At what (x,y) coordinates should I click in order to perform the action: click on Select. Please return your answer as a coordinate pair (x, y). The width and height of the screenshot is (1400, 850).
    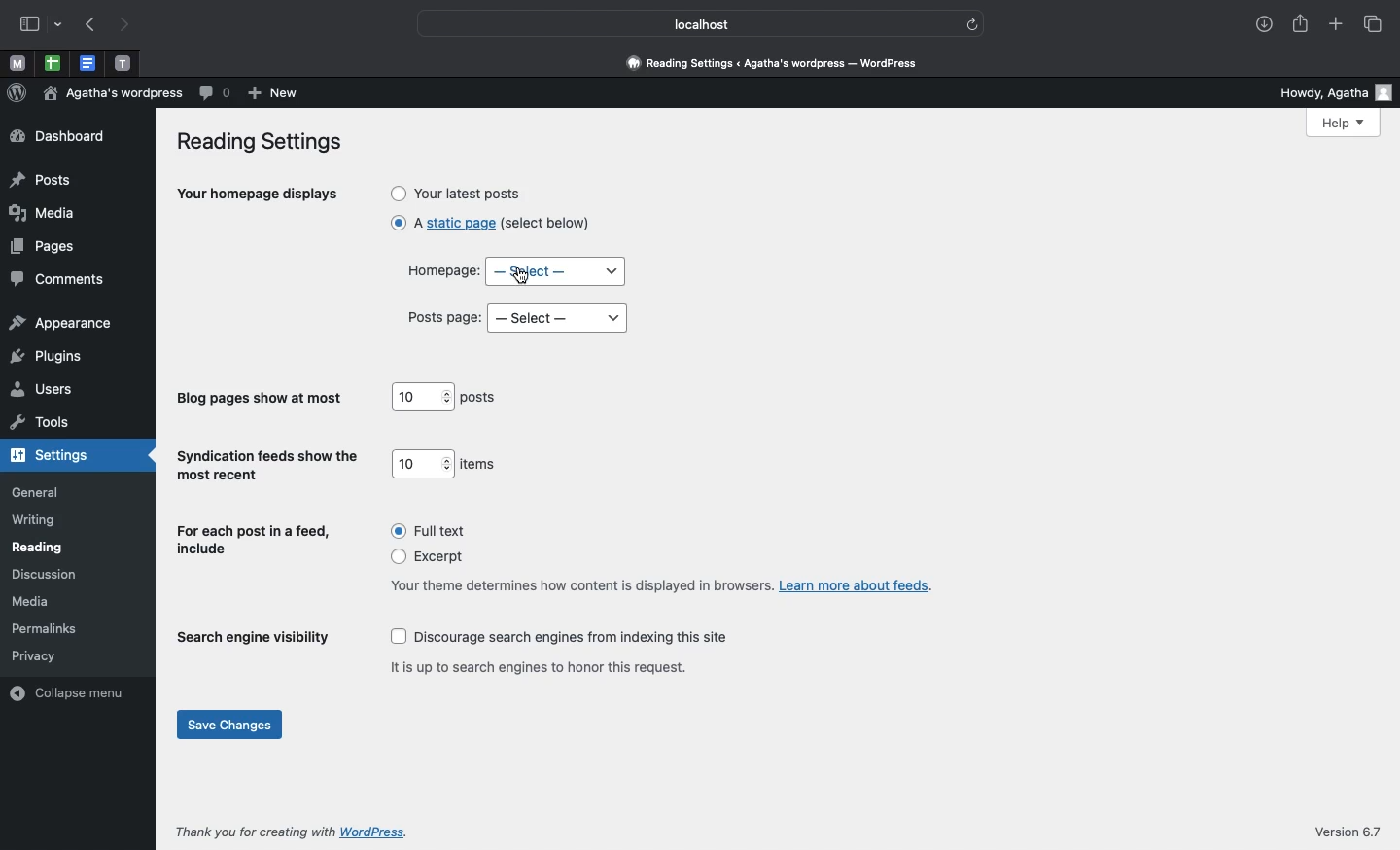
    Looking at the image, I should click on (559, 318).